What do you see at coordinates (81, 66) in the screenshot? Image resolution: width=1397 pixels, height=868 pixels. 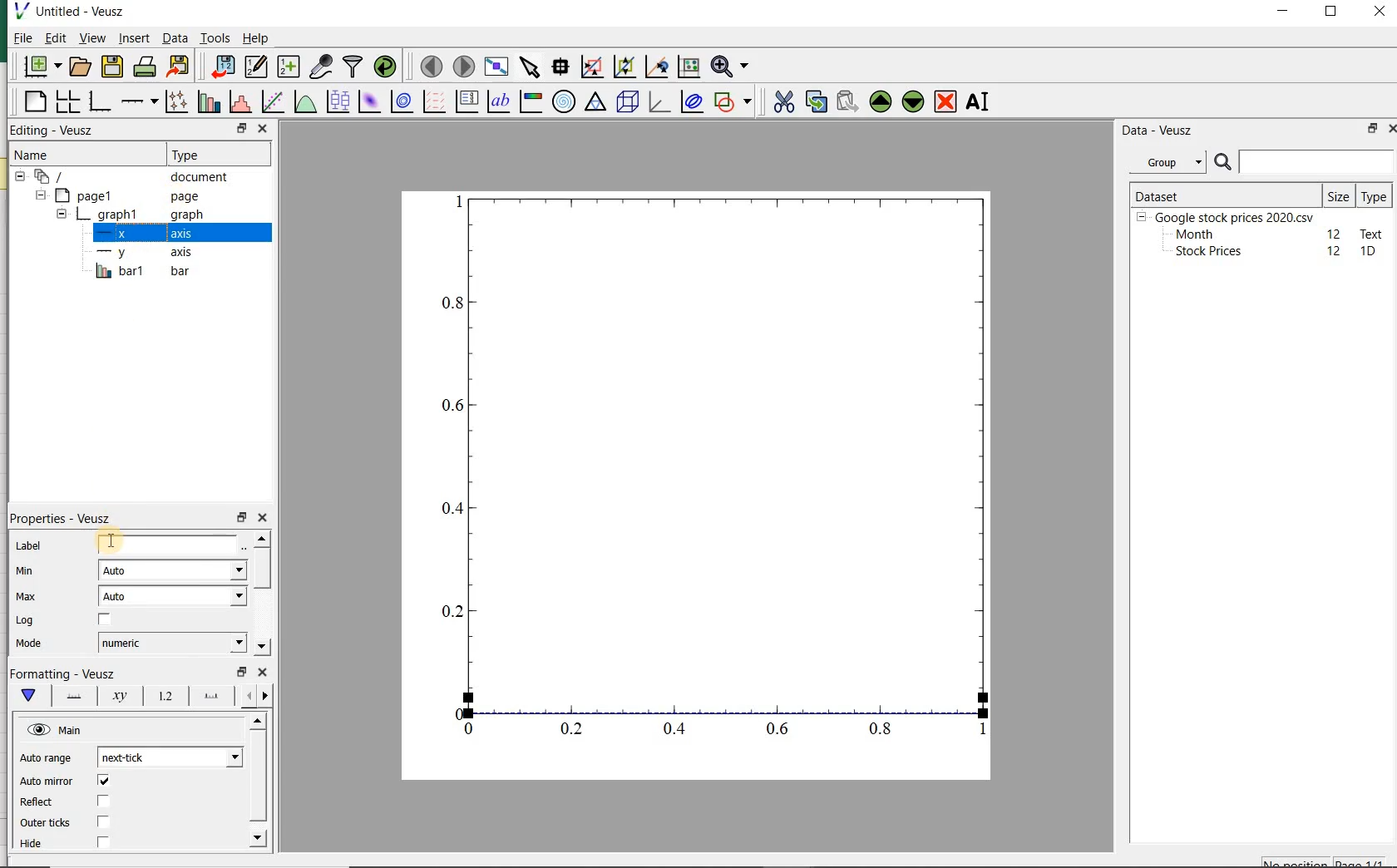 I see `open a document` at bounding box center [81, 66].